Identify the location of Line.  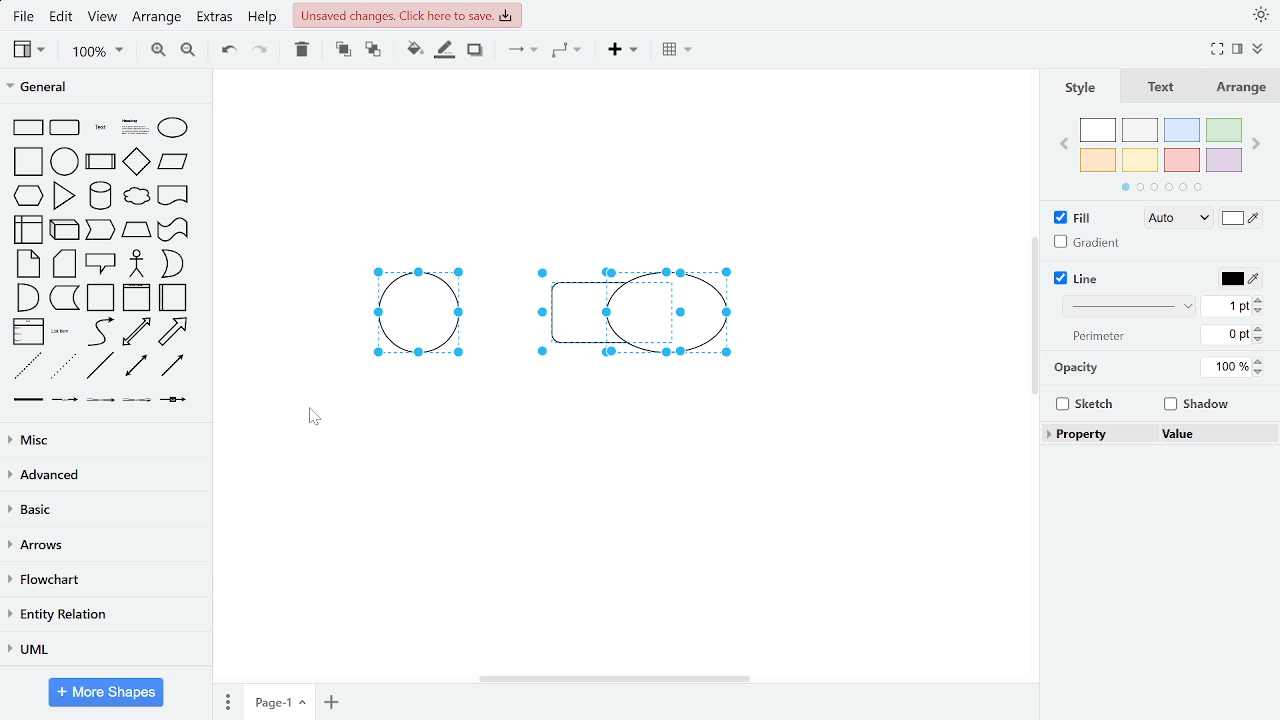
(1077, 278).